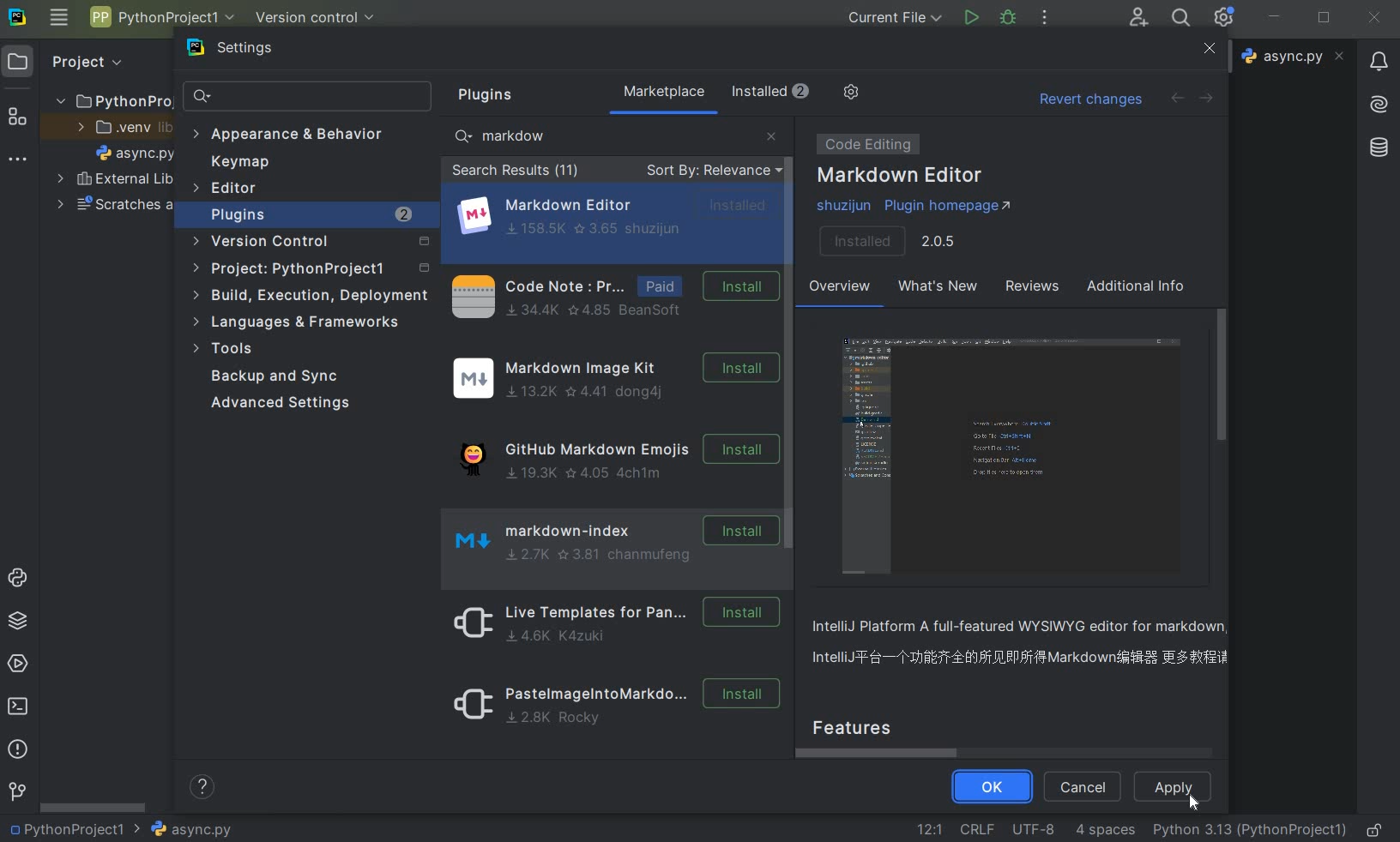  I want to click on indent, so click(1107, 832).